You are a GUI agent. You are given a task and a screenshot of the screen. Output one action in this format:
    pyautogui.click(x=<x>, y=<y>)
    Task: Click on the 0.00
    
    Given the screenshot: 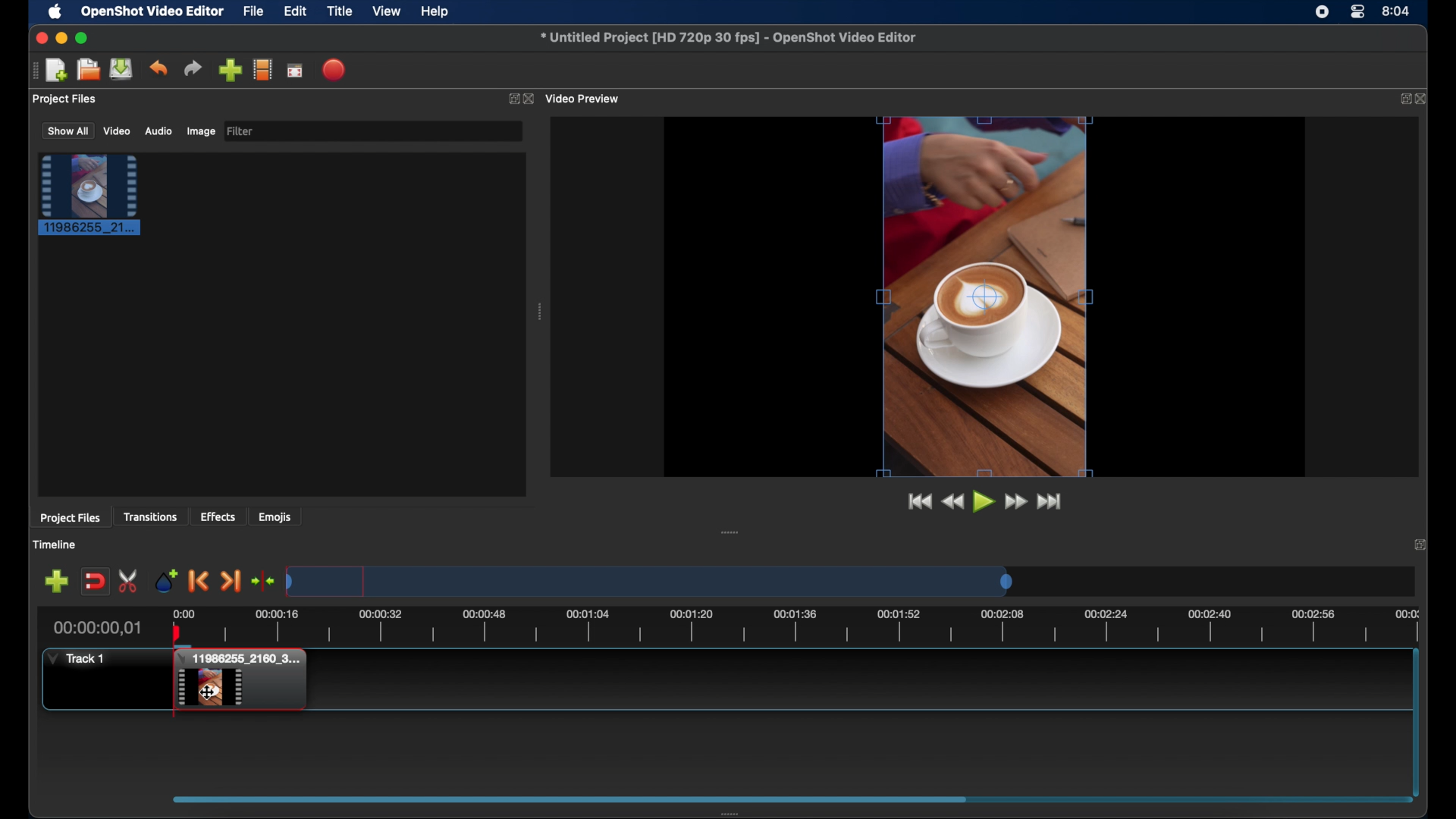 What is the action you would take?
    pyautogui.click(x=184, y=612)
    